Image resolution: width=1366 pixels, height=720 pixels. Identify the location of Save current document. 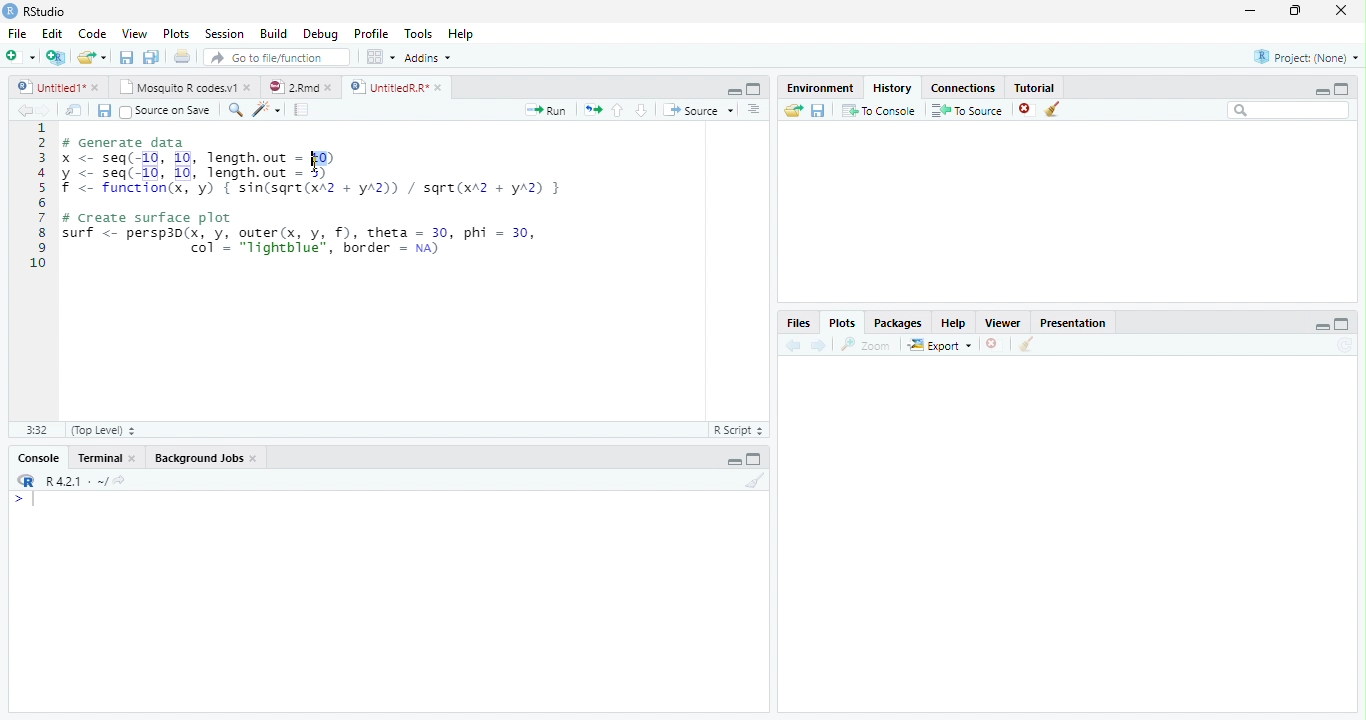
(125, 56).